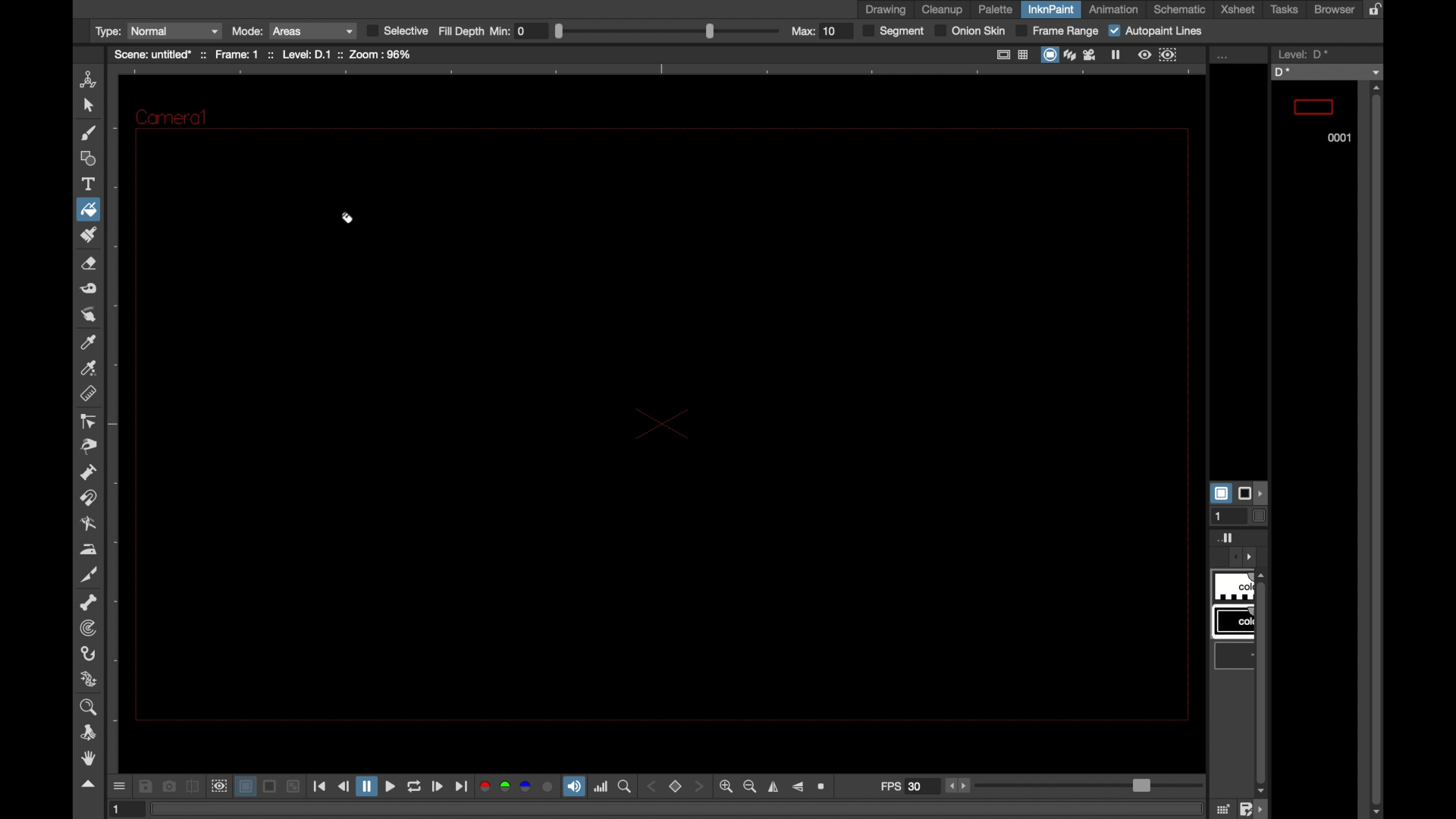 This screenshot has height=819, width=1456. I want to click on xsheet, so click(1238, 9).